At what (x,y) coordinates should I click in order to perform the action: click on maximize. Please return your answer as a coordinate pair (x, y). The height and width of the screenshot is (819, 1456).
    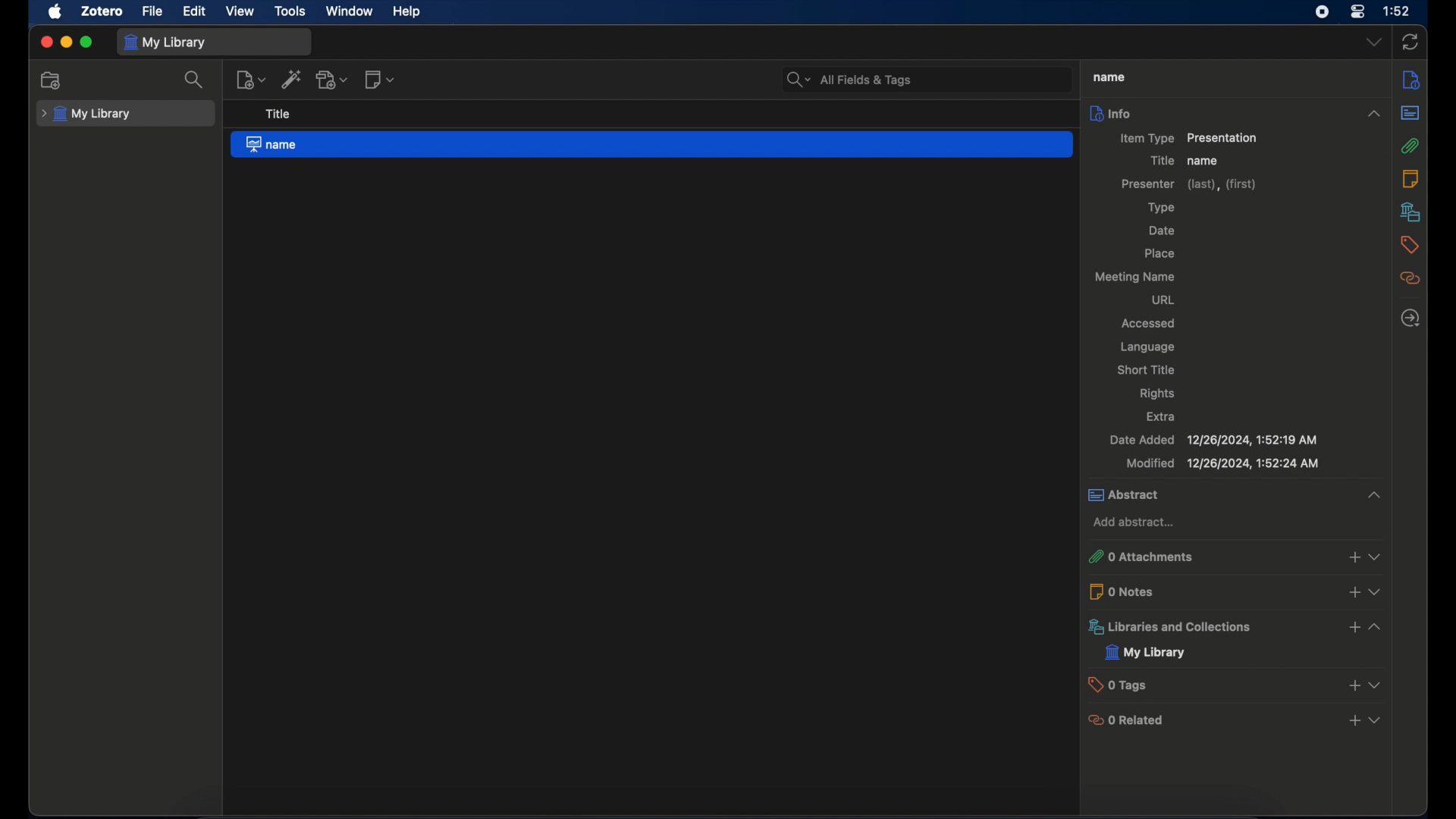
    Looking at the image, I should click on (86, 42).